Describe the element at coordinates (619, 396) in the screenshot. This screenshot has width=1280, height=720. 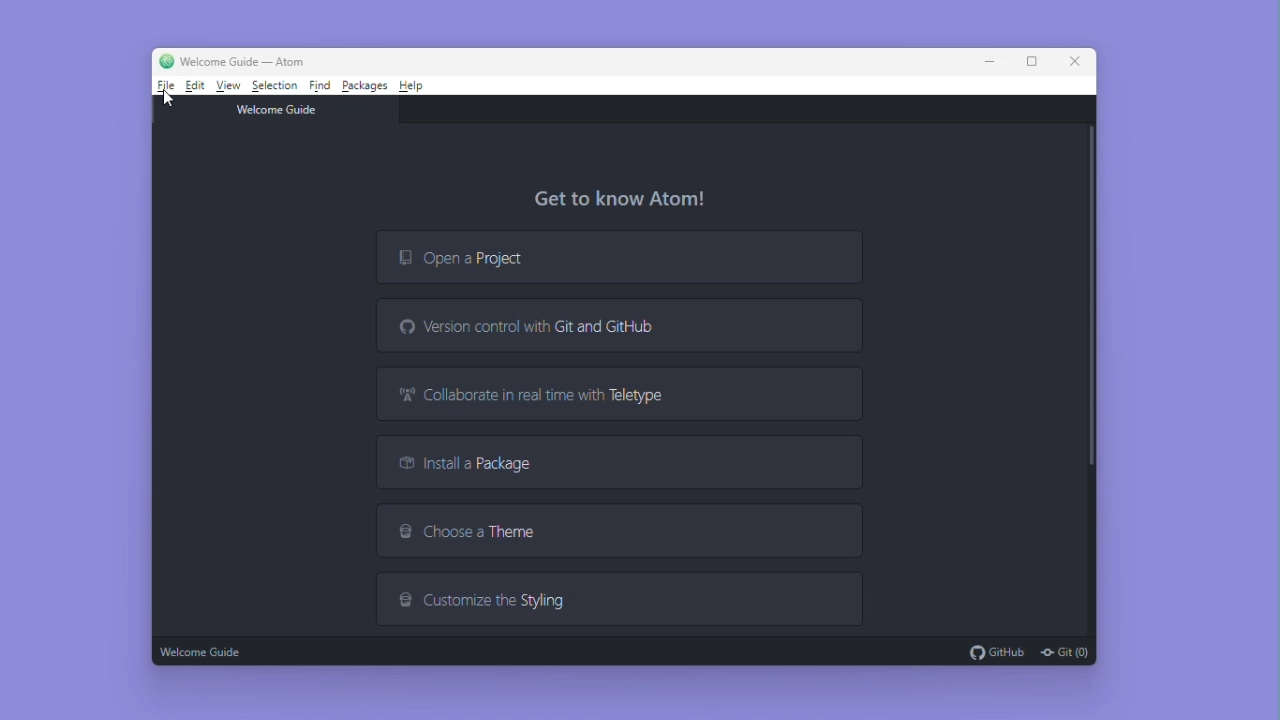
I see `Collaborate in real time with tele type` at that location.